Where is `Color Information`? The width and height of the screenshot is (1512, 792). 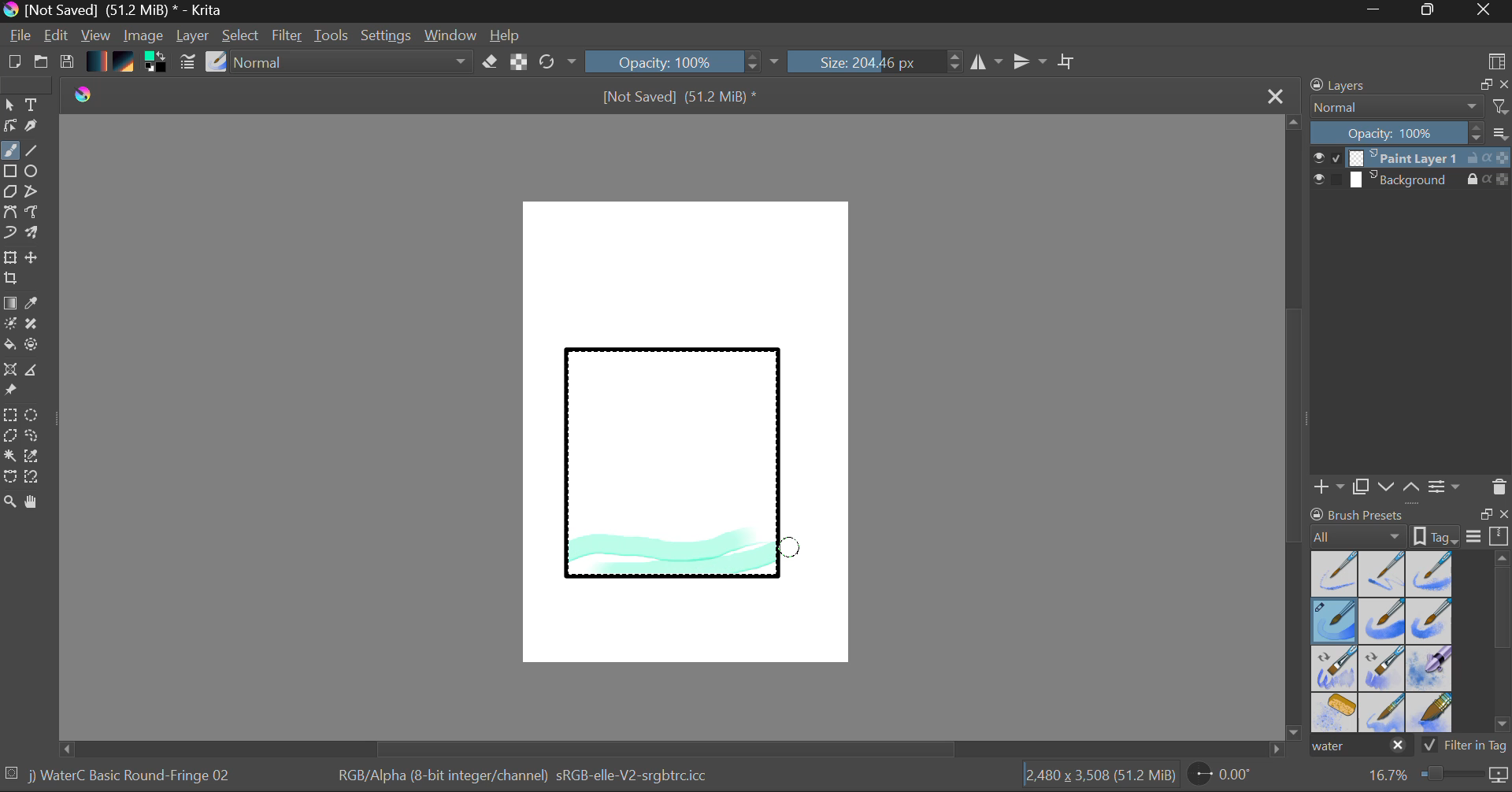
Color Information is located at coordinates (521, 777).